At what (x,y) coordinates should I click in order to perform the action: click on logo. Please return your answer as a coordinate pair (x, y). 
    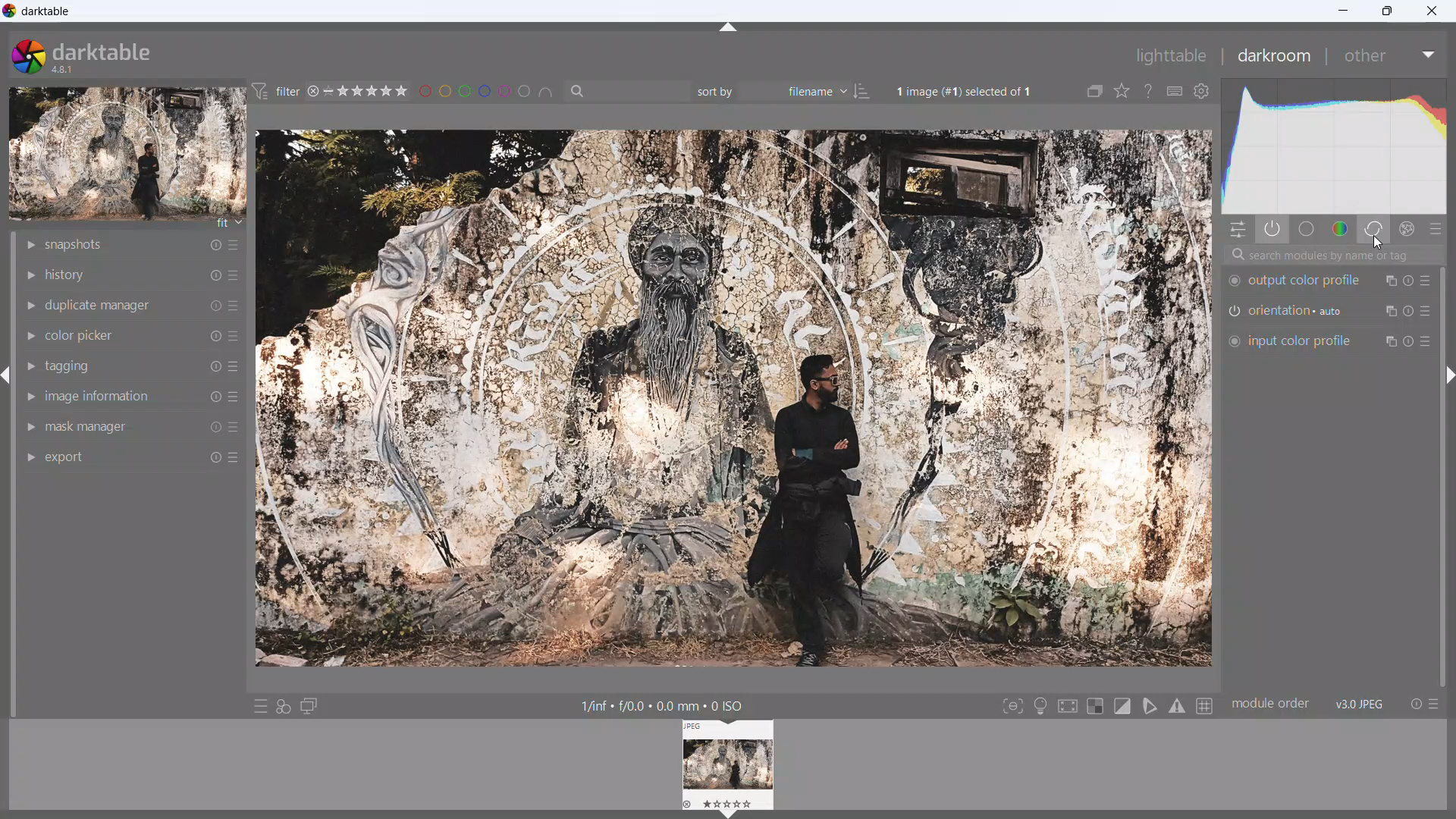
    Looking at the image, I should click on (29, 55).